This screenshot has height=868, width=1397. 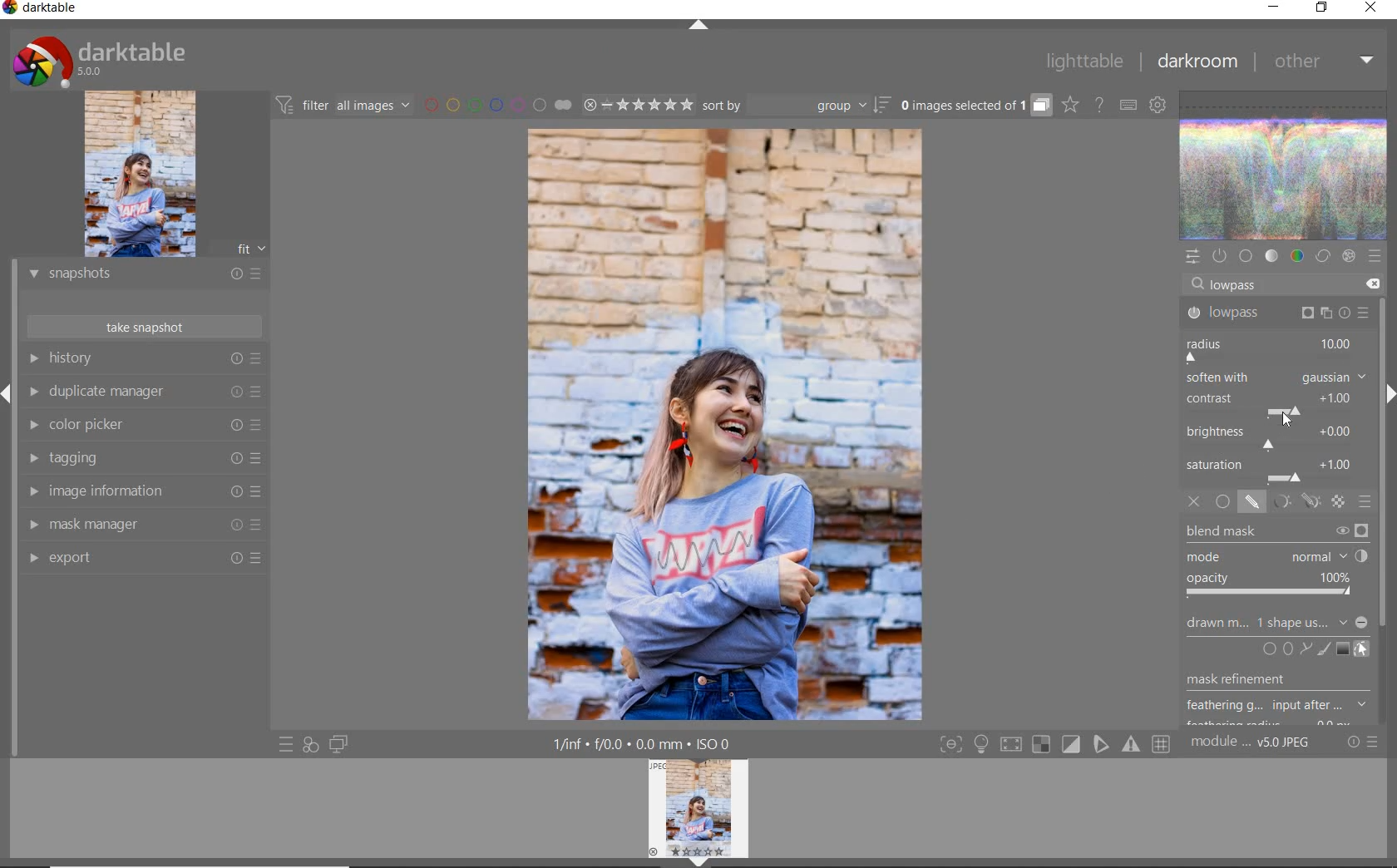 I want to click on take snapshots, so click(x=143, y=328).